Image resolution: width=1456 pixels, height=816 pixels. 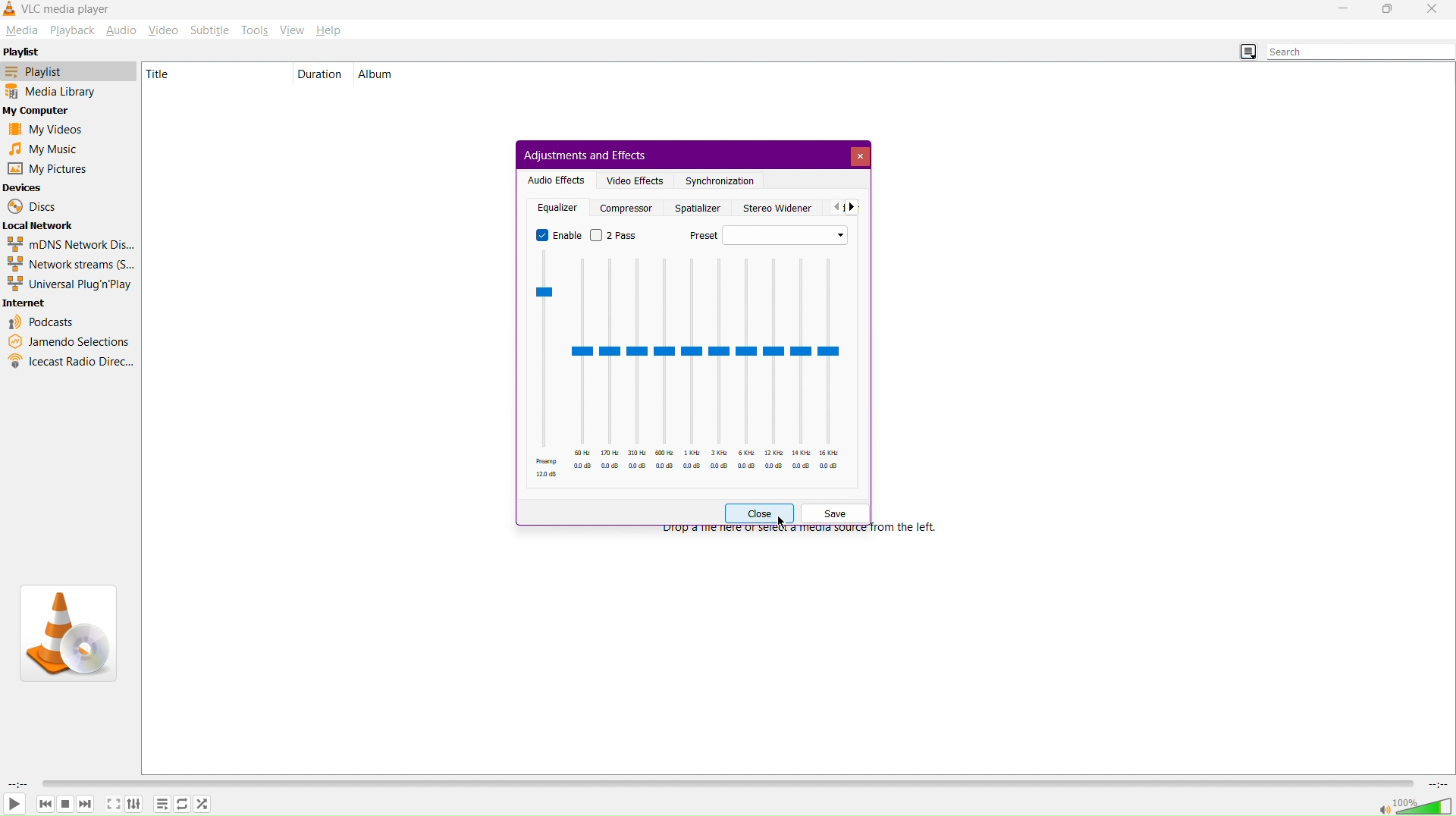 I want to click on 6 KHz, so click(x=746, y=364).